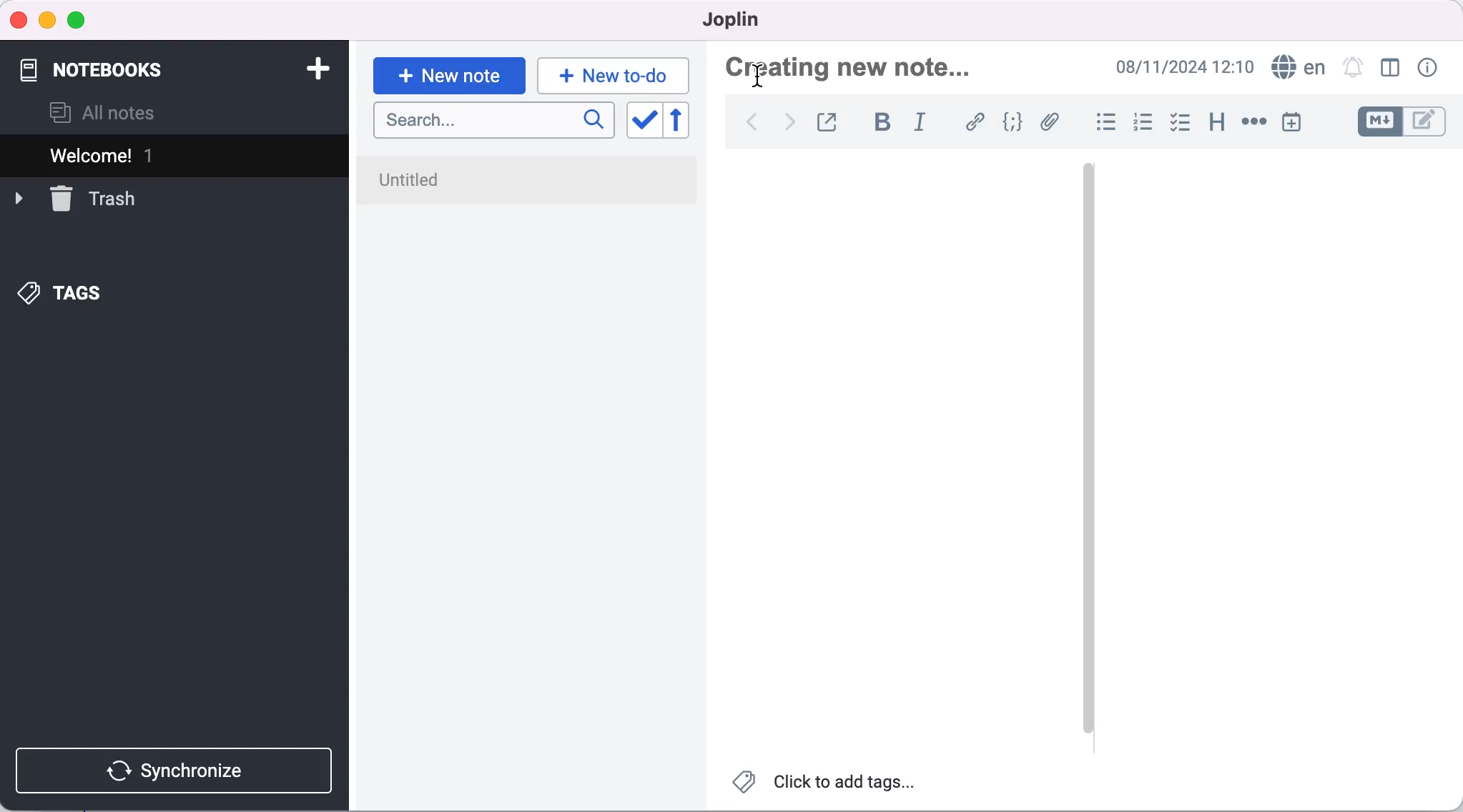  What do you see at coordinates (1216, 124) in the screenshot?
I see `heading` at bounding box center [1216, 124].